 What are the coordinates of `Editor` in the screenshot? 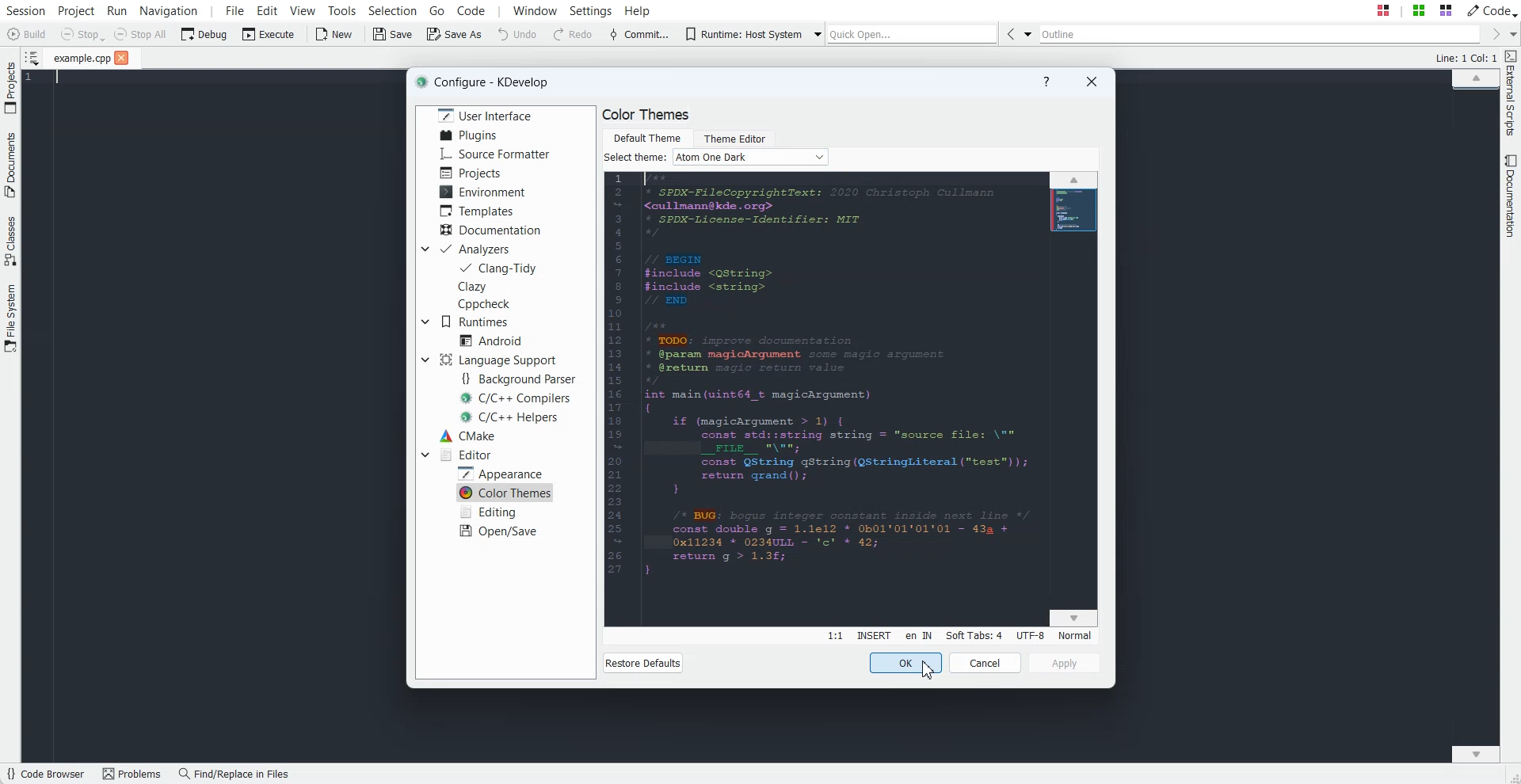 It's located at (467, 455).